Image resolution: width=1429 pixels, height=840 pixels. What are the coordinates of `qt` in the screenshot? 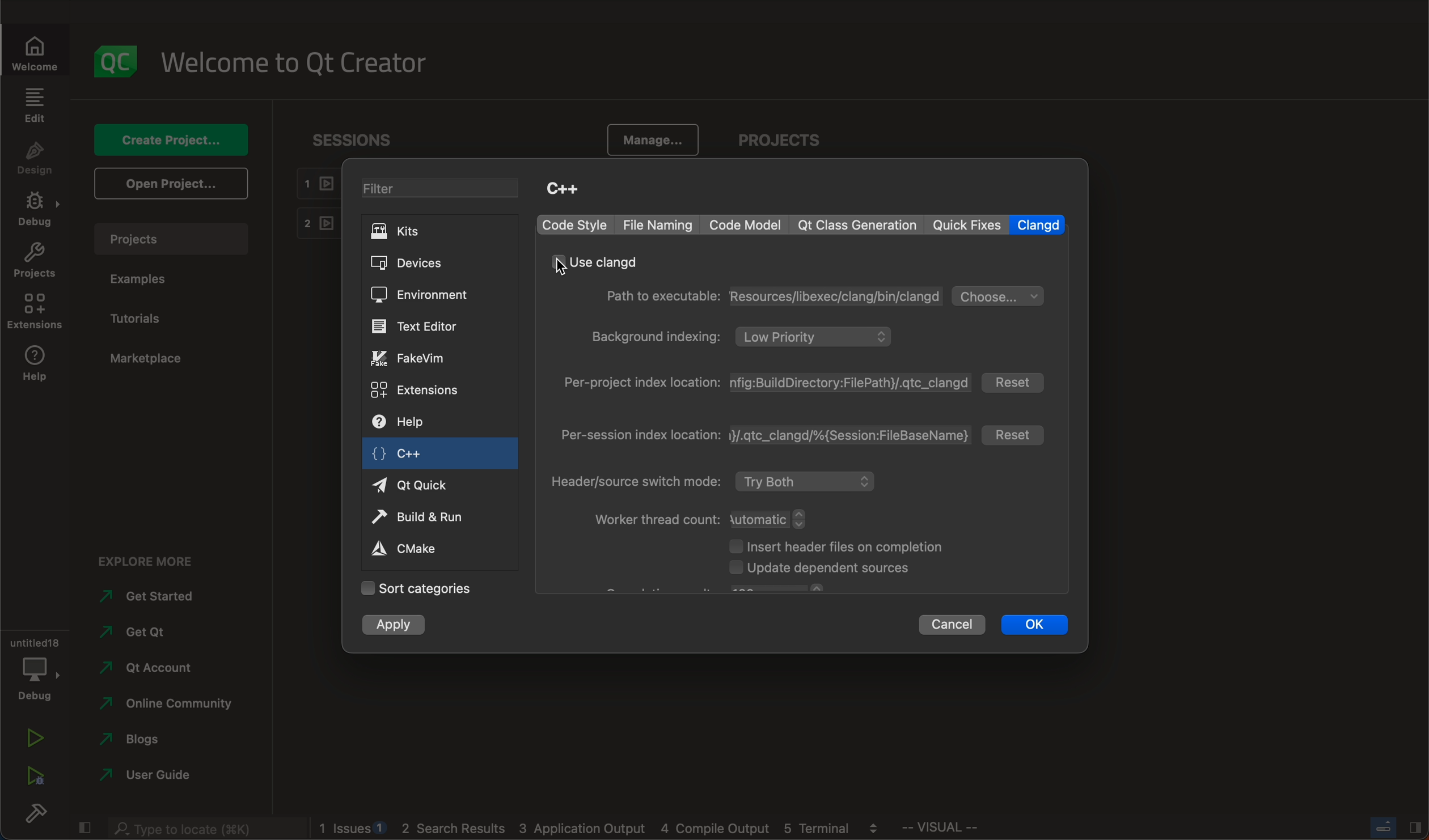 It's located at (859, 226).